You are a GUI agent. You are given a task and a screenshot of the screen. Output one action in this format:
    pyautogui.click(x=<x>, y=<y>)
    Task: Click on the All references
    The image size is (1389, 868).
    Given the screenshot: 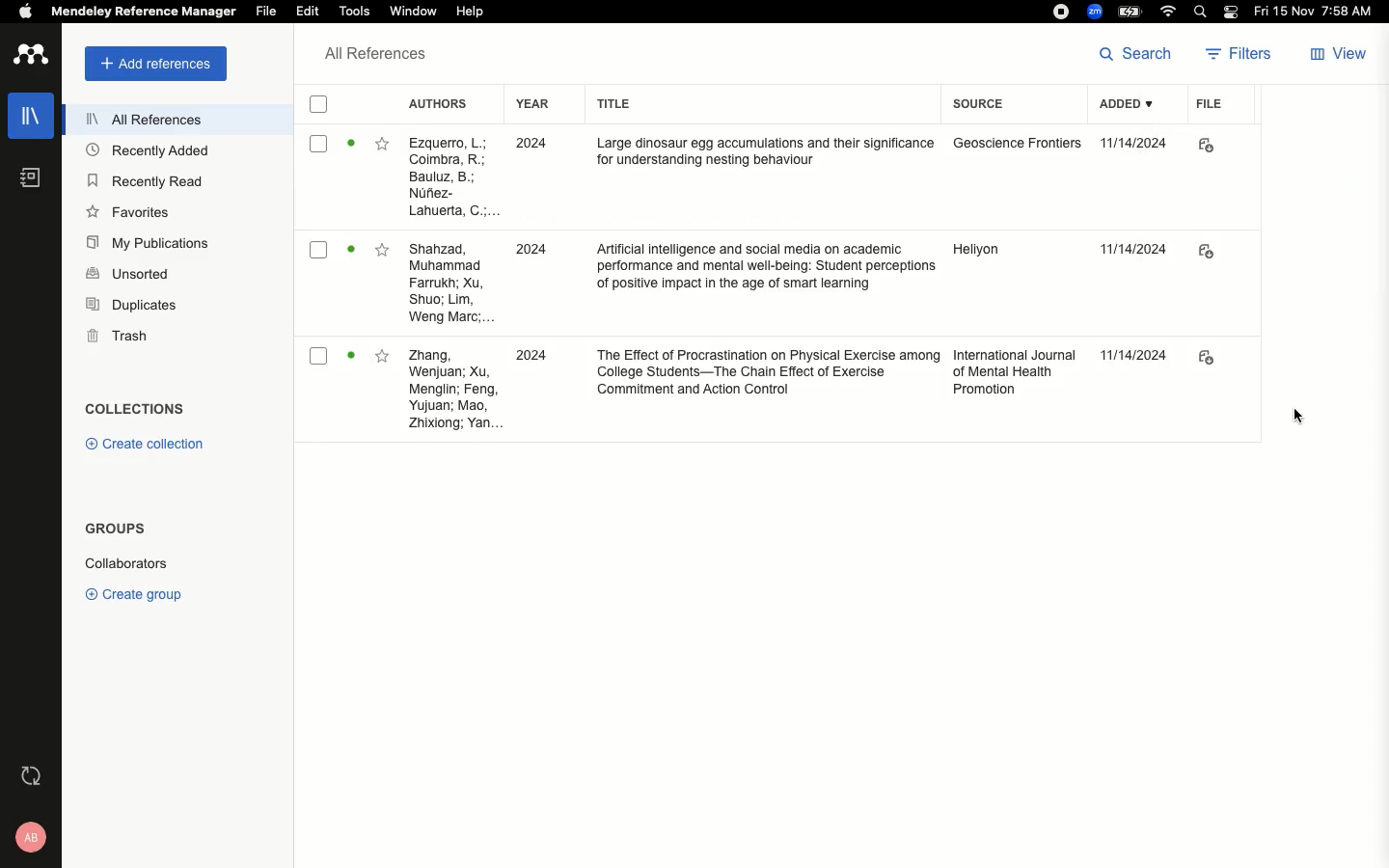 What is the action you would take?
    pyautogui.click(x=370, y=55)
    